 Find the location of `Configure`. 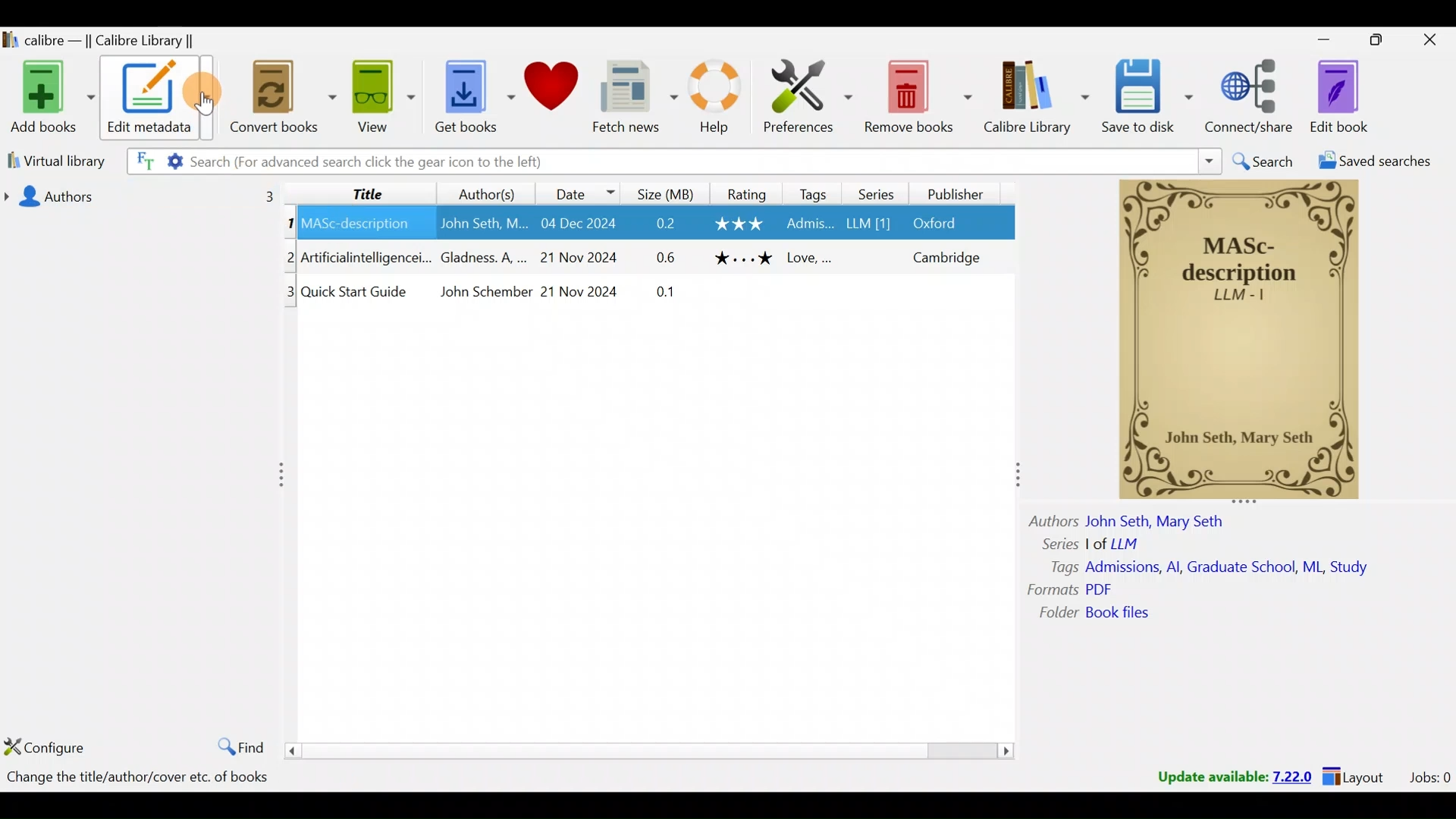

Configure is located at coordinates (54, 745).